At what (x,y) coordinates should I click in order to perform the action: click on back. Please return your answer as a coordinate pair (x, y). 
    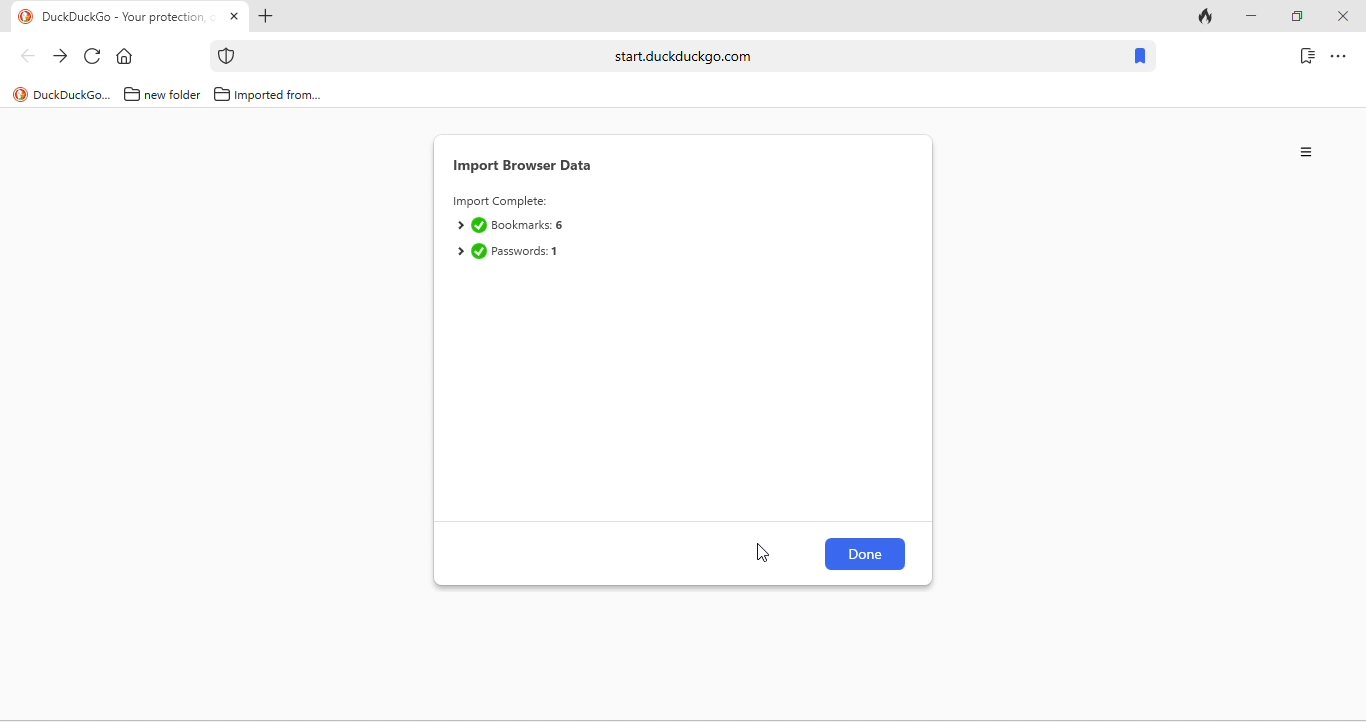
    Looking at the image, I should click on (27, 55).